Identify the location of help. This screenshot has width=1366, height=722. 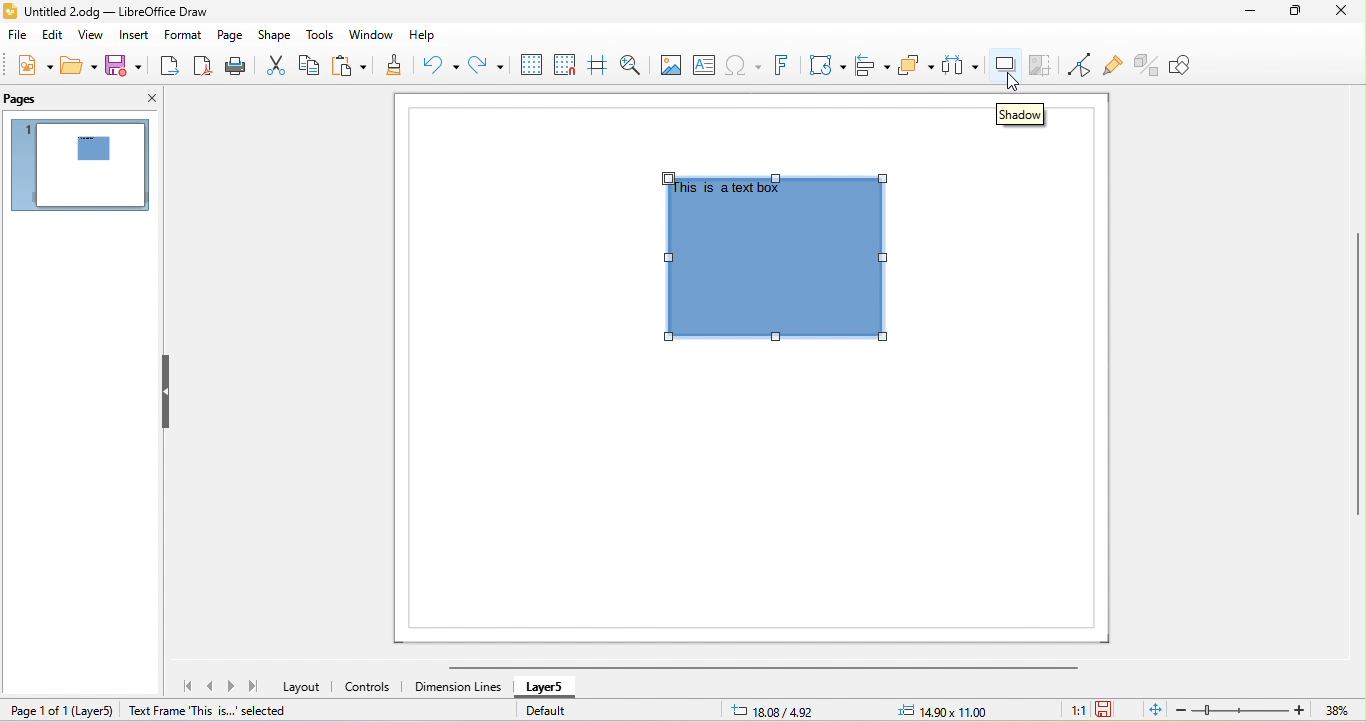
(430, 37).